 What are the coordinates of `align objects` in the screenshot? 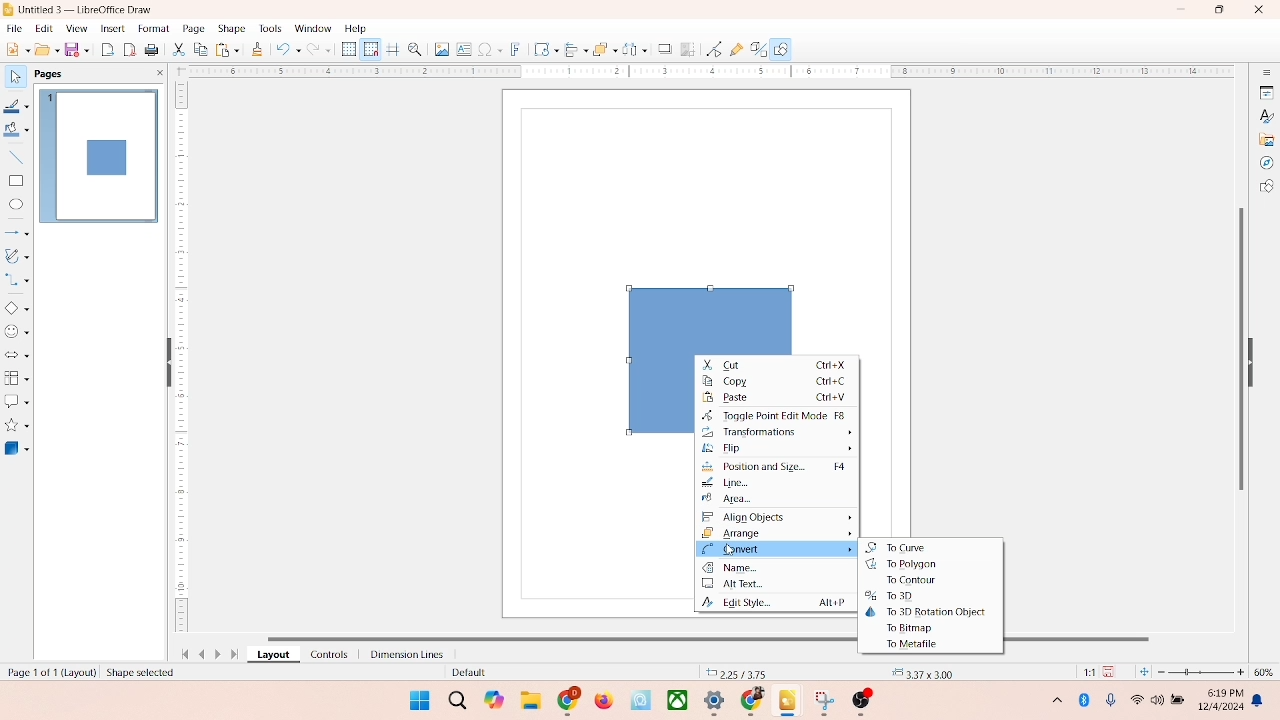 It's located at (780, 517).